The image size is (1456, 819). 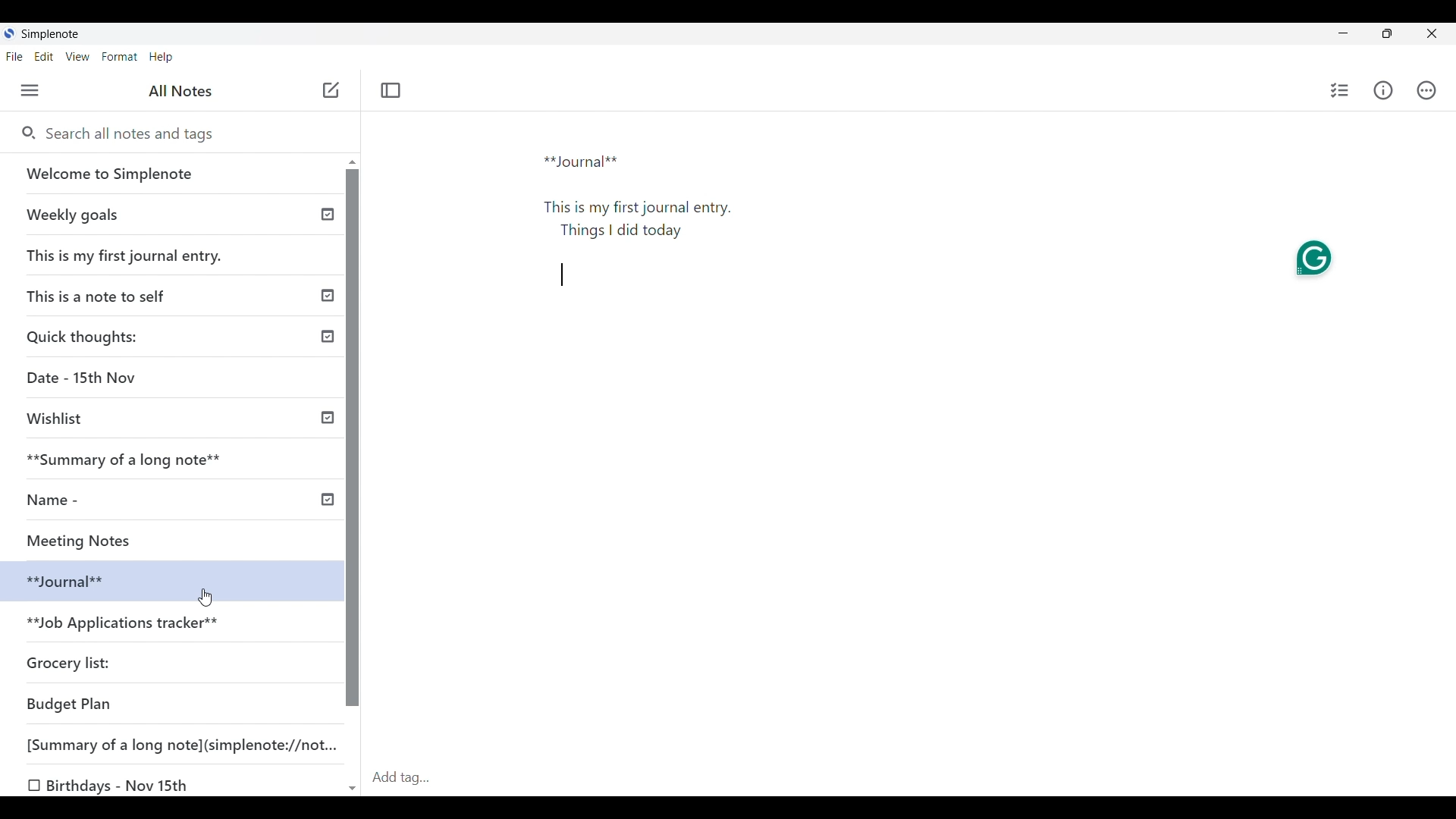 I want to click on Edit menu, so click(x=44, y=57).